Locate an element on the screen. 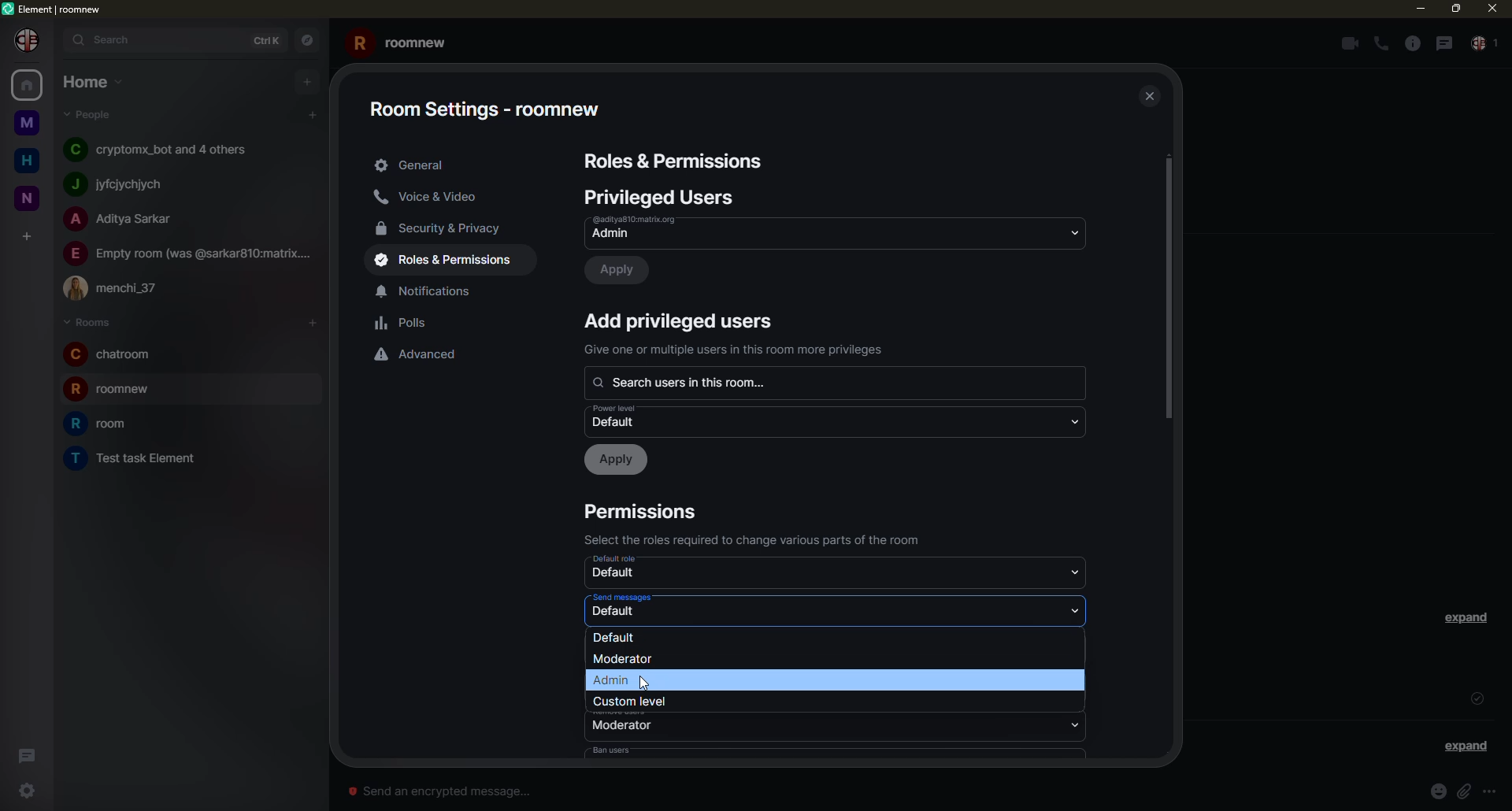 This screenshot has height=811, width=1512. voice is located at coordinates (1381, 44).